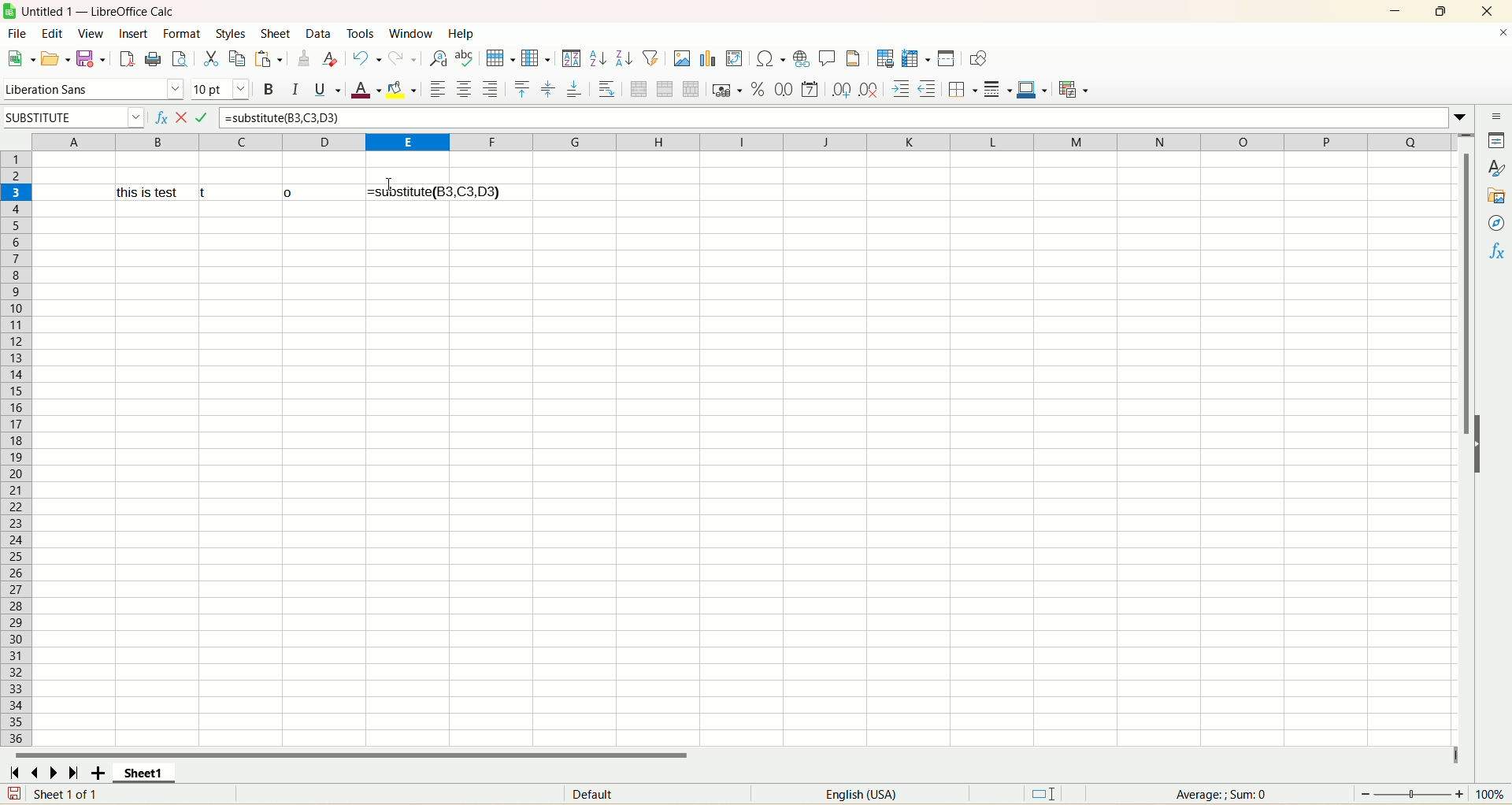 The height and width of the screenshot is (805, 1512). Describe the element at coordinates (915, 60) in the screenshot. I see `freeze row and column` at that location.